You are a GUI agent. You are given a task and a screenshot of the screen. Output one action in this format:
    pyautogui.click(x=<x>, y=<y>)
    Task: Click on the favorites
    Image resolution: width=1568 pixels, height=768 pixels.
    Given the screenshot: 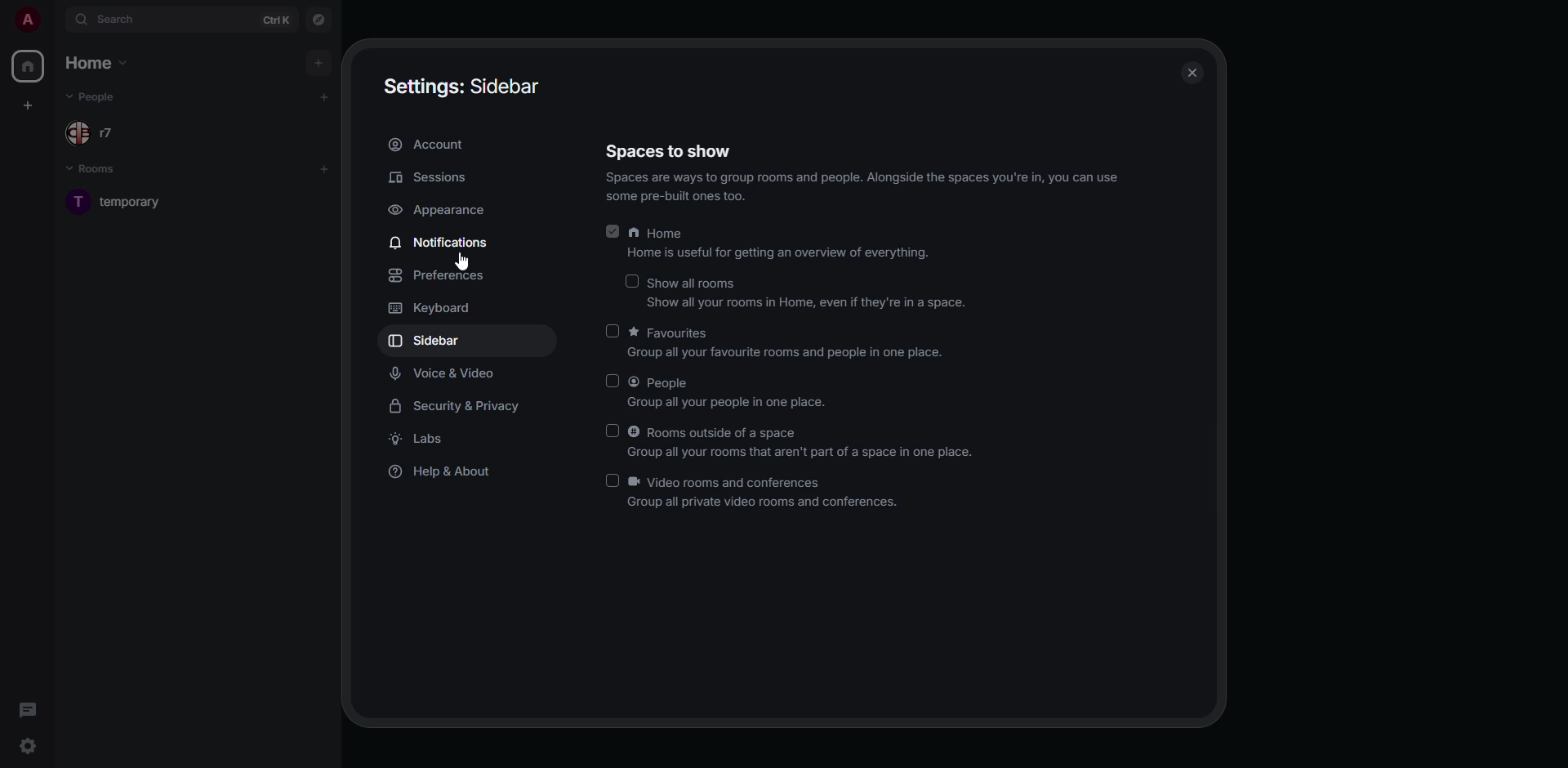 What is the action you would take?
    pyautogui.click(x=789, y=343)
    